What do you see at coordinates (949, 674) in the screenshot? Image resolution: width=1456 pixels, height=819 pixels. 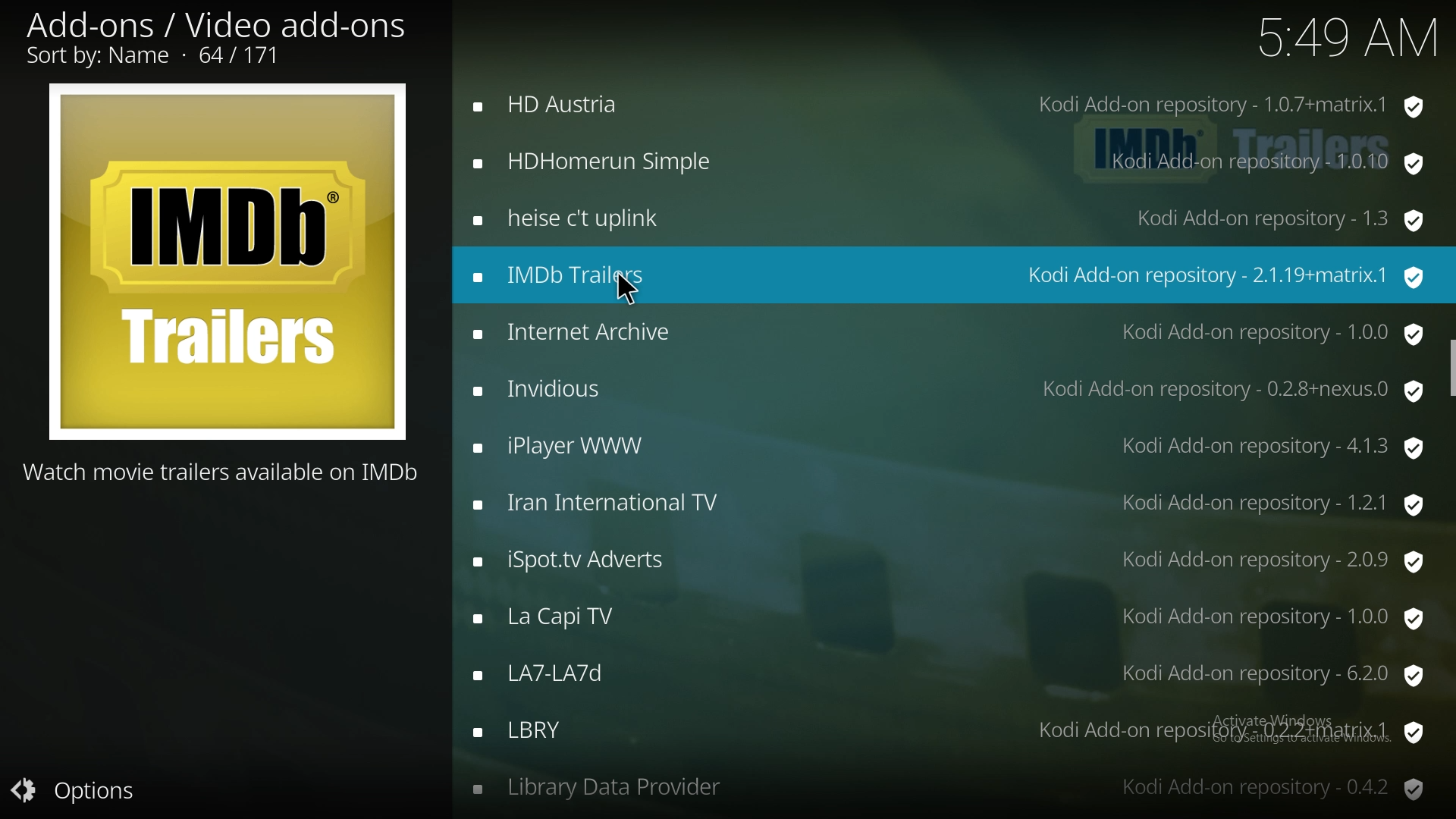 I see `add on` at bounding box center [949, 674].